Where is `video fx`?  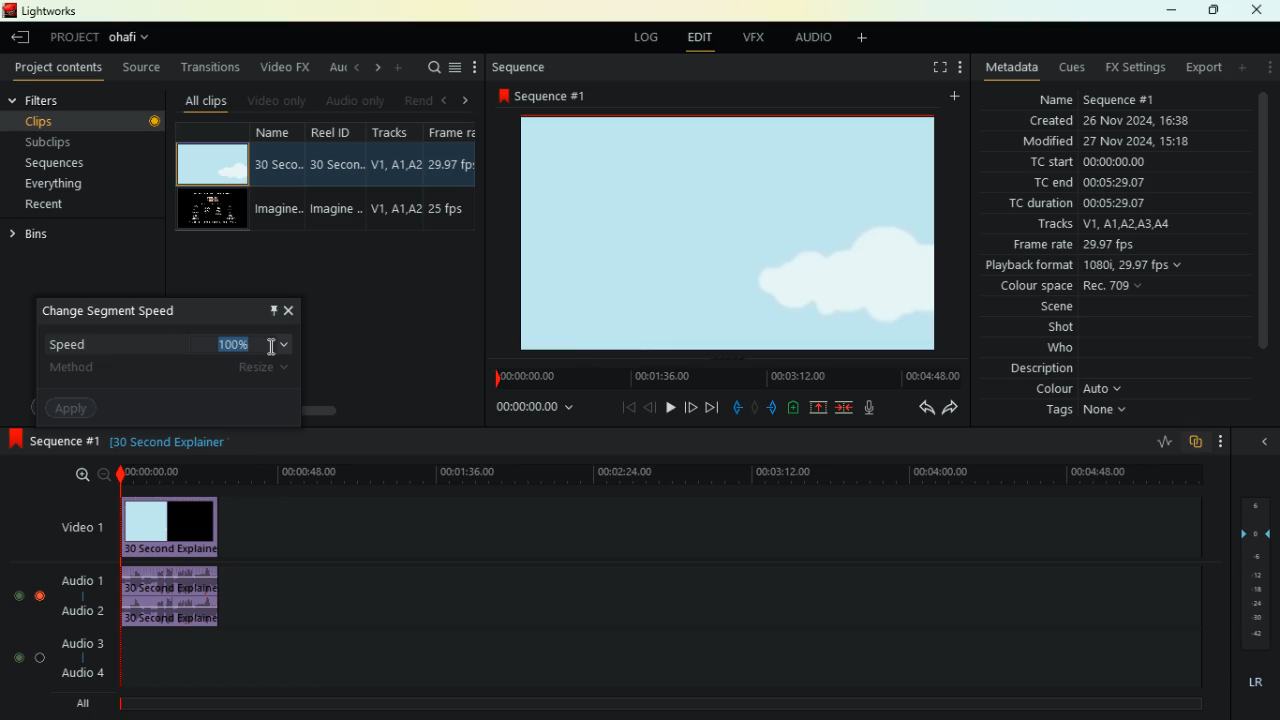 video fx is located at coordinates (287, 67).